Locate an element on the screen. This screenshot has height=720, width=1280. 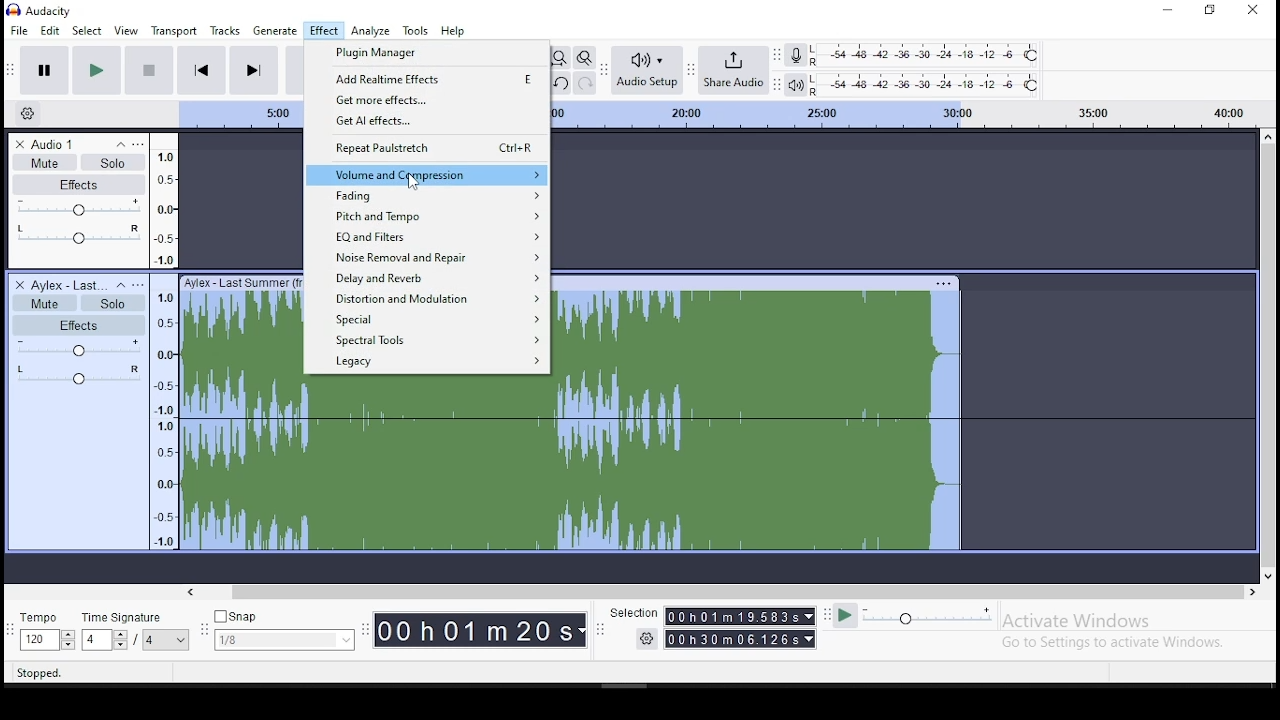
settings is located at coordinates (650, 641).